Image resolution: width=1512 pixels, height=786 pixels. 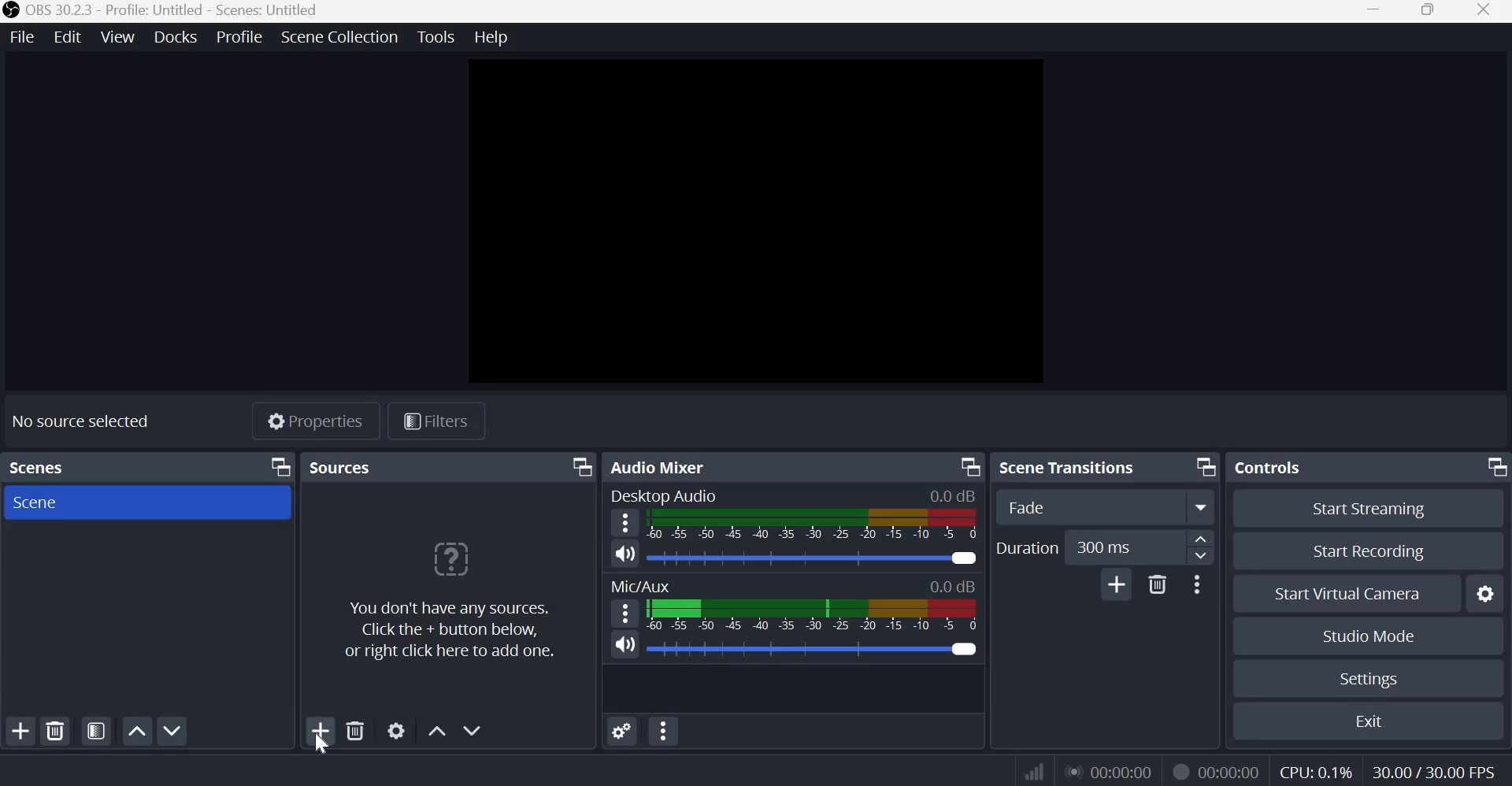 I want to click on Move scene up, so click(x=171, y=731).